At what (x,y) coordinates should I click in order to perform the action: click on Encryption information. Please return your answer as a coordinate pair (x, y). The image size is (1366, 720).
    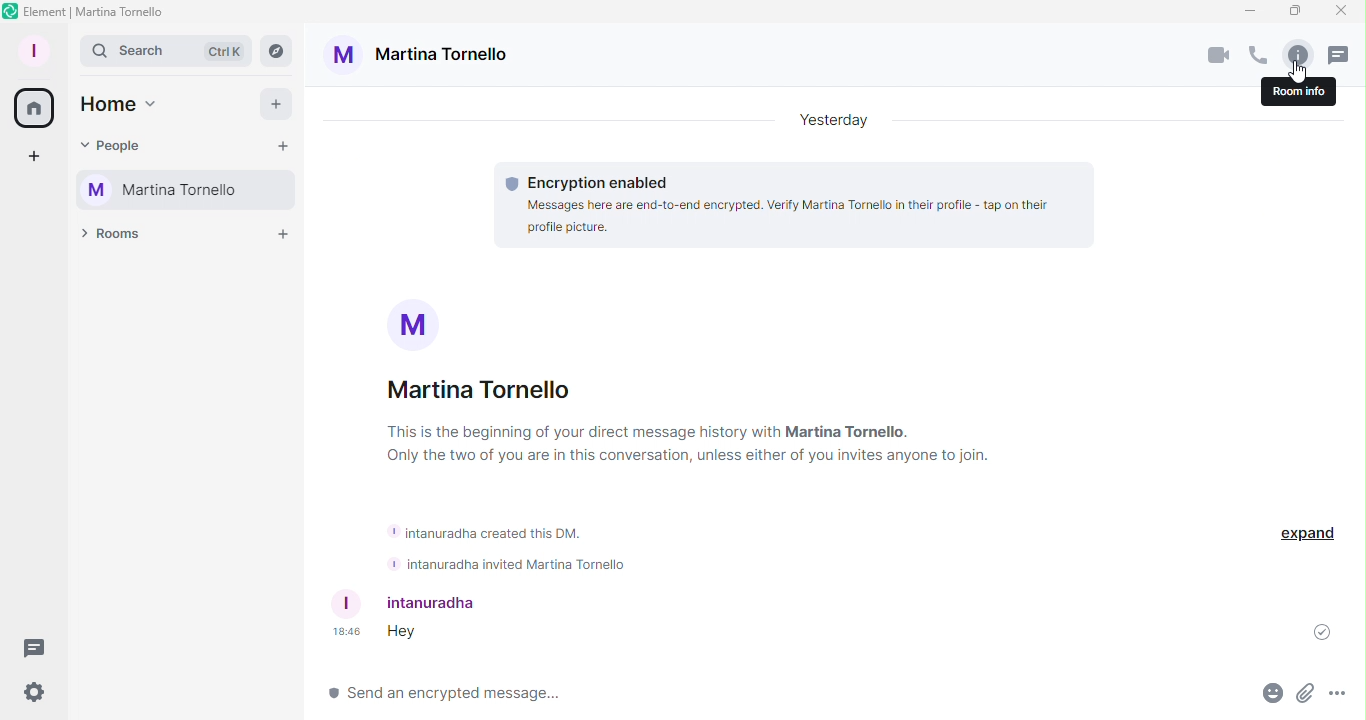
    Looking at the image, I should click on (588, 180).